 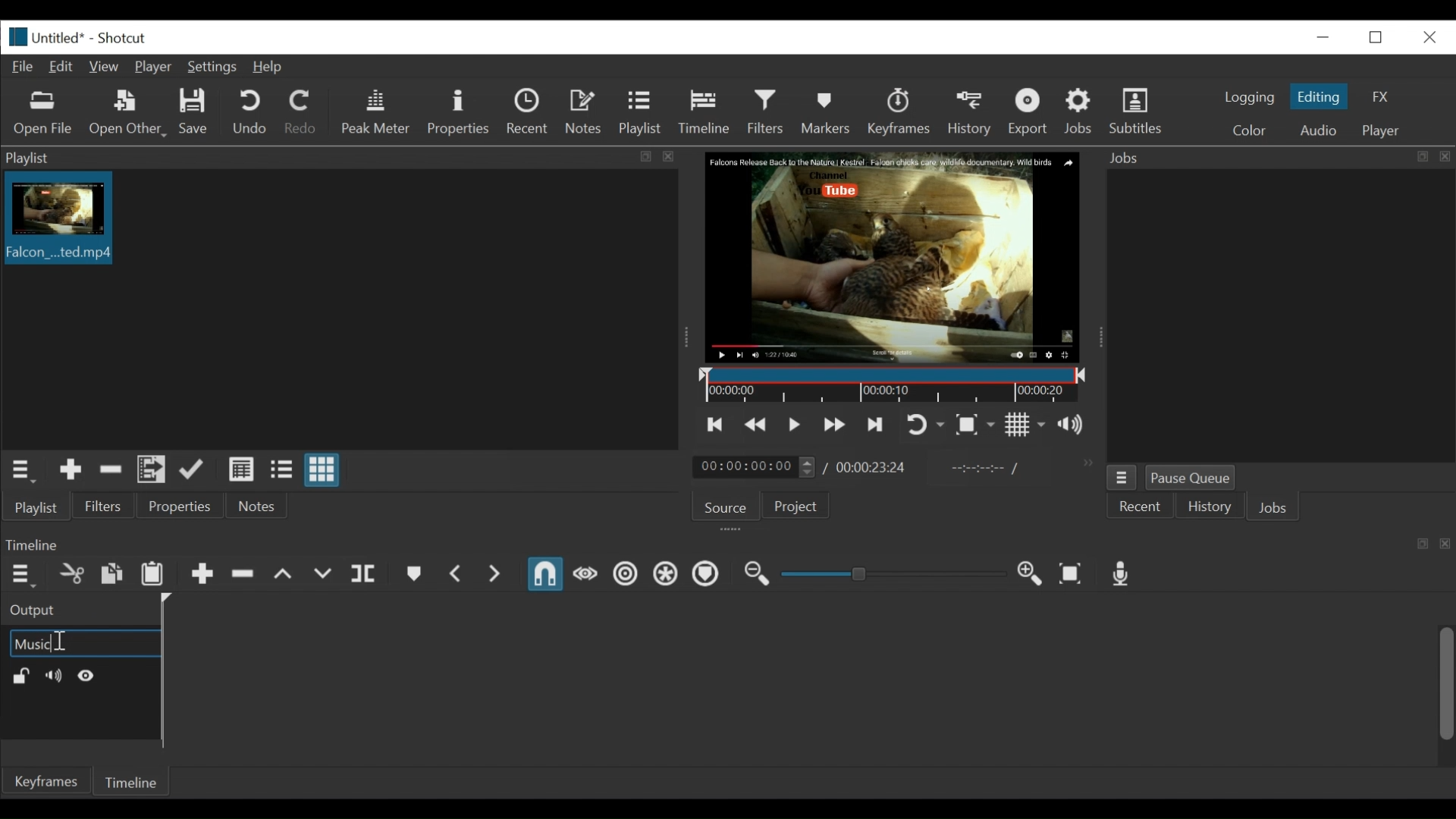 I want to click on Playlist menu, so click(x=20, y=469).